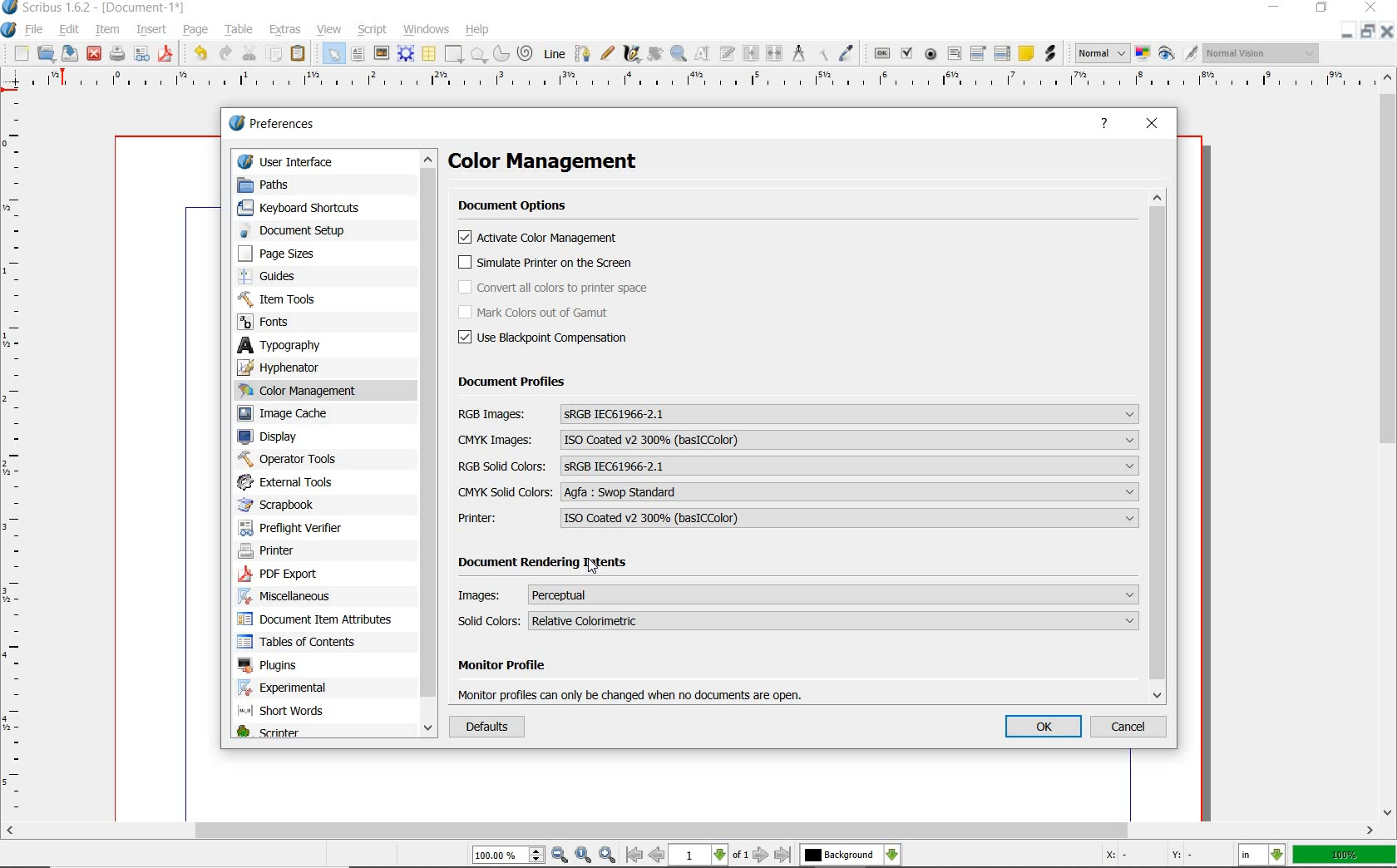  Describe the element at coordinates (310, 642) in the screenshot. I see `tables of contents` at that location.